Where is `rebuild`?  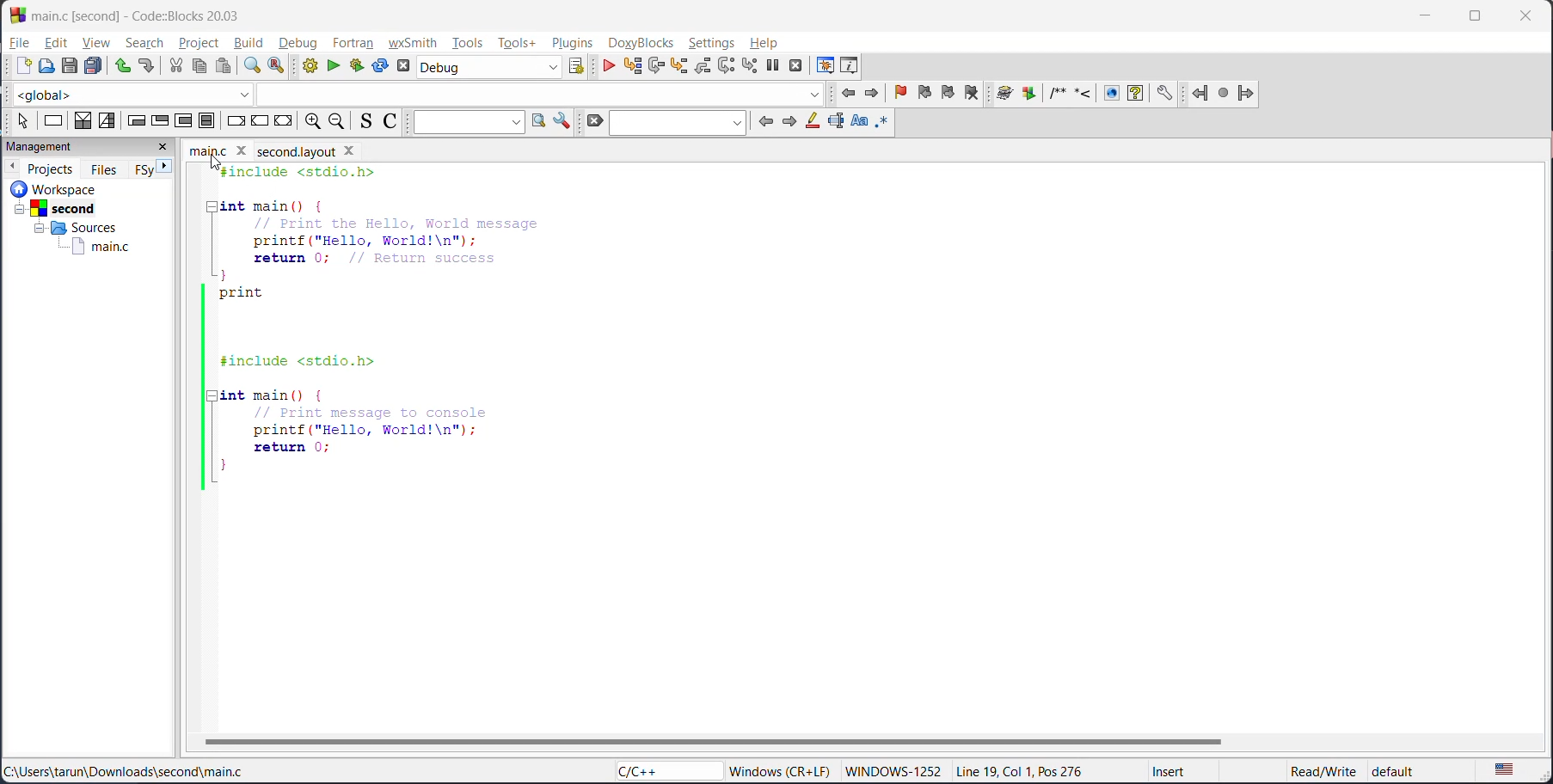
rebuild is located at coordinates (379, 67).